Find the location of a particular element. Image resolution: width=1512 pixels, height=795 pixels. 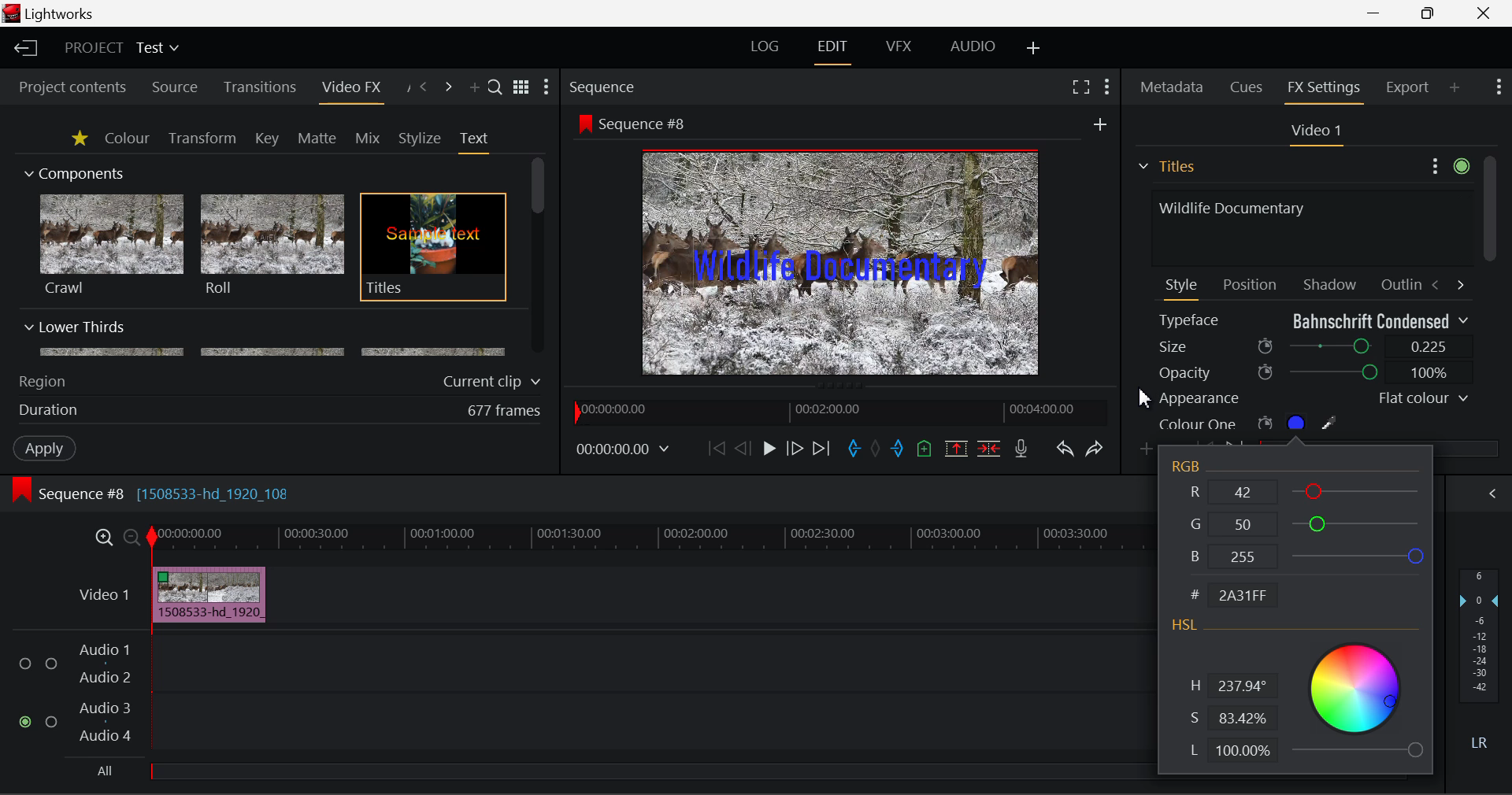

Remove all marks is located at coordinates (877, 450).